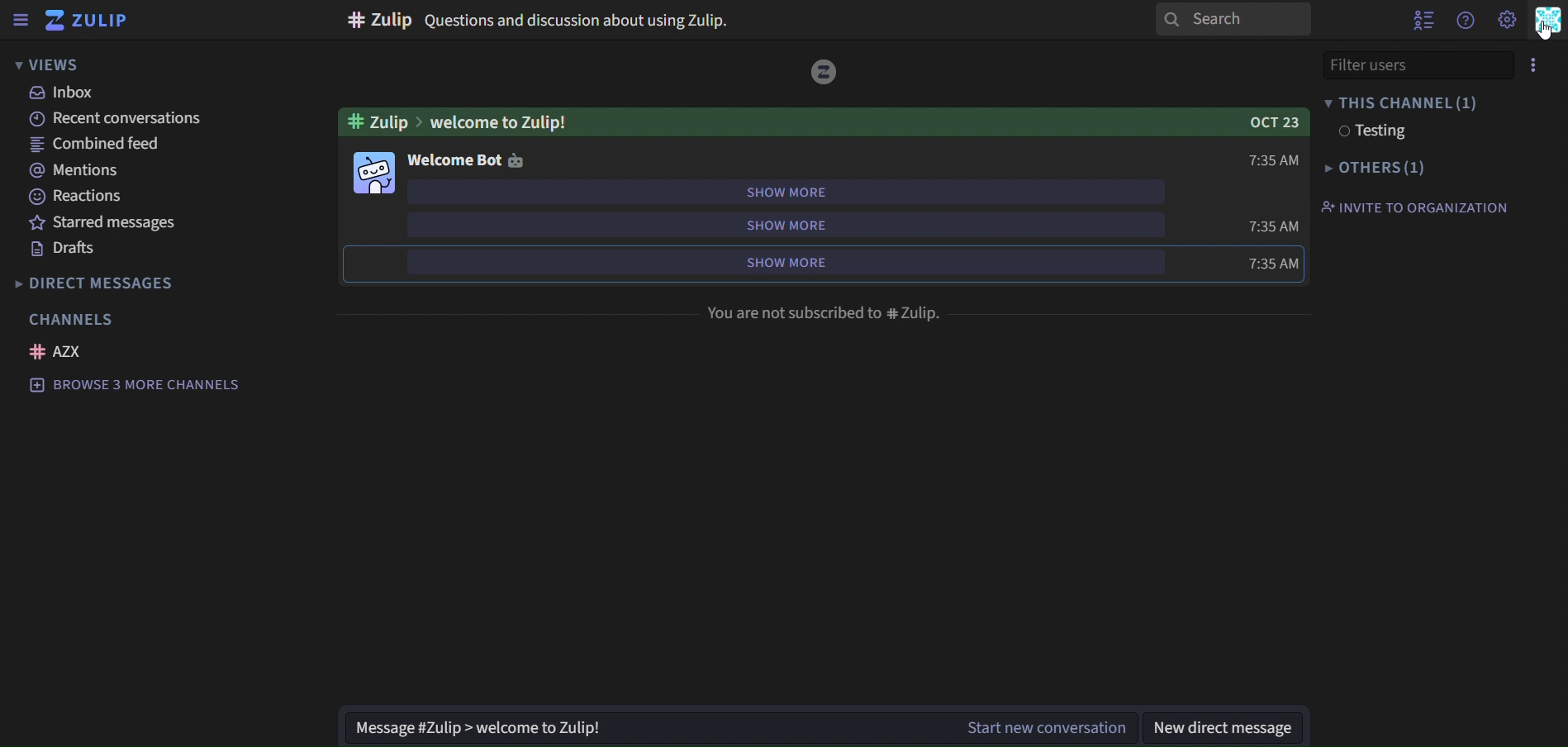  Describe the element at coordinates (1416, 207) in the screenshot. I see `invite to organisation` at that location.